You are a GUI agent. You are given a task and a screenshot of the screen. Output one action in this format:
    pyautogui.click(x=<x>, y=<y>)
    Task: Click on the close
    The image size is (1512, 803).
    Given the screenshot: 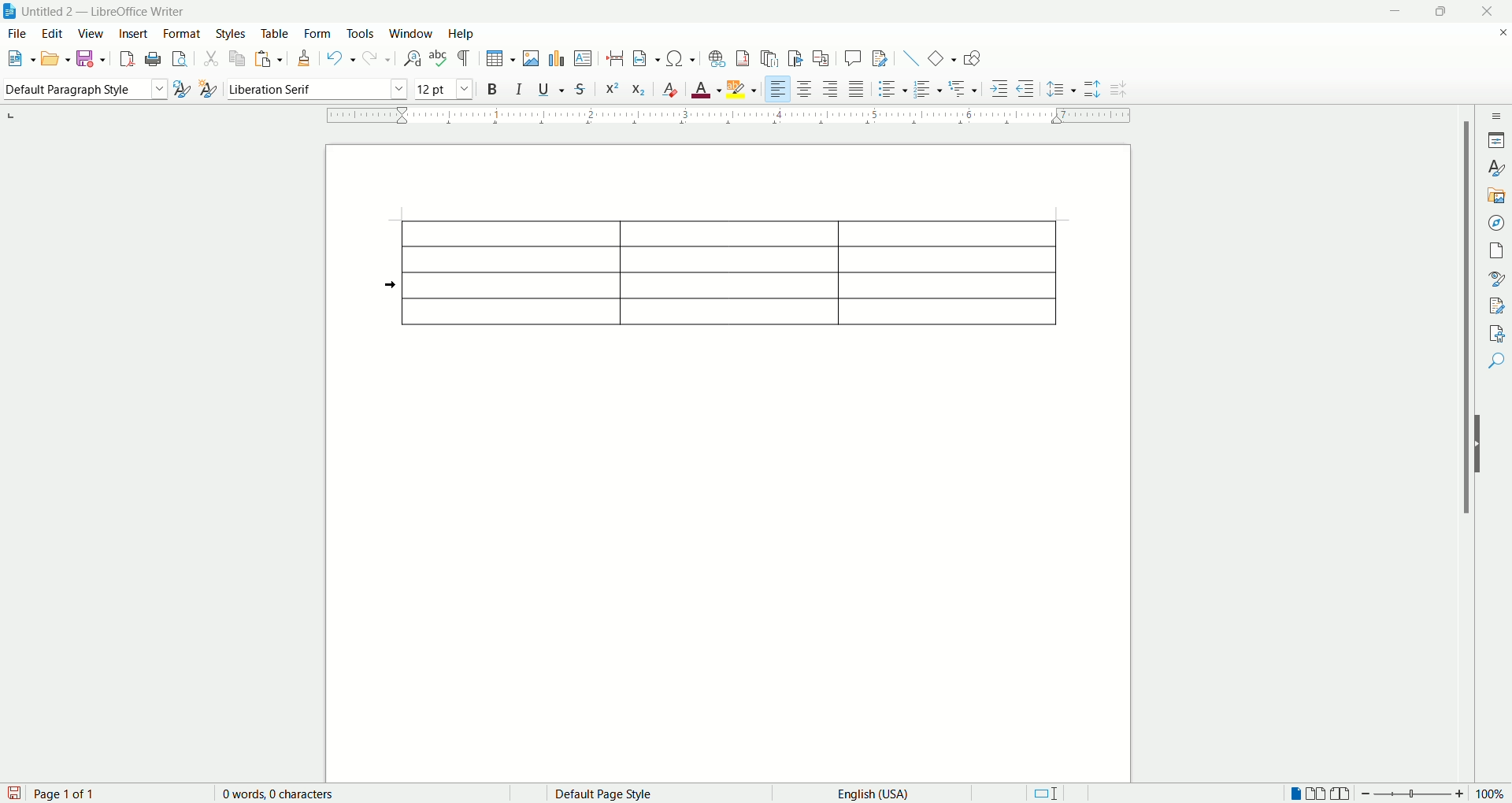 What is the action you would take?
    pyautogui.click(x=1492, y=12)
    